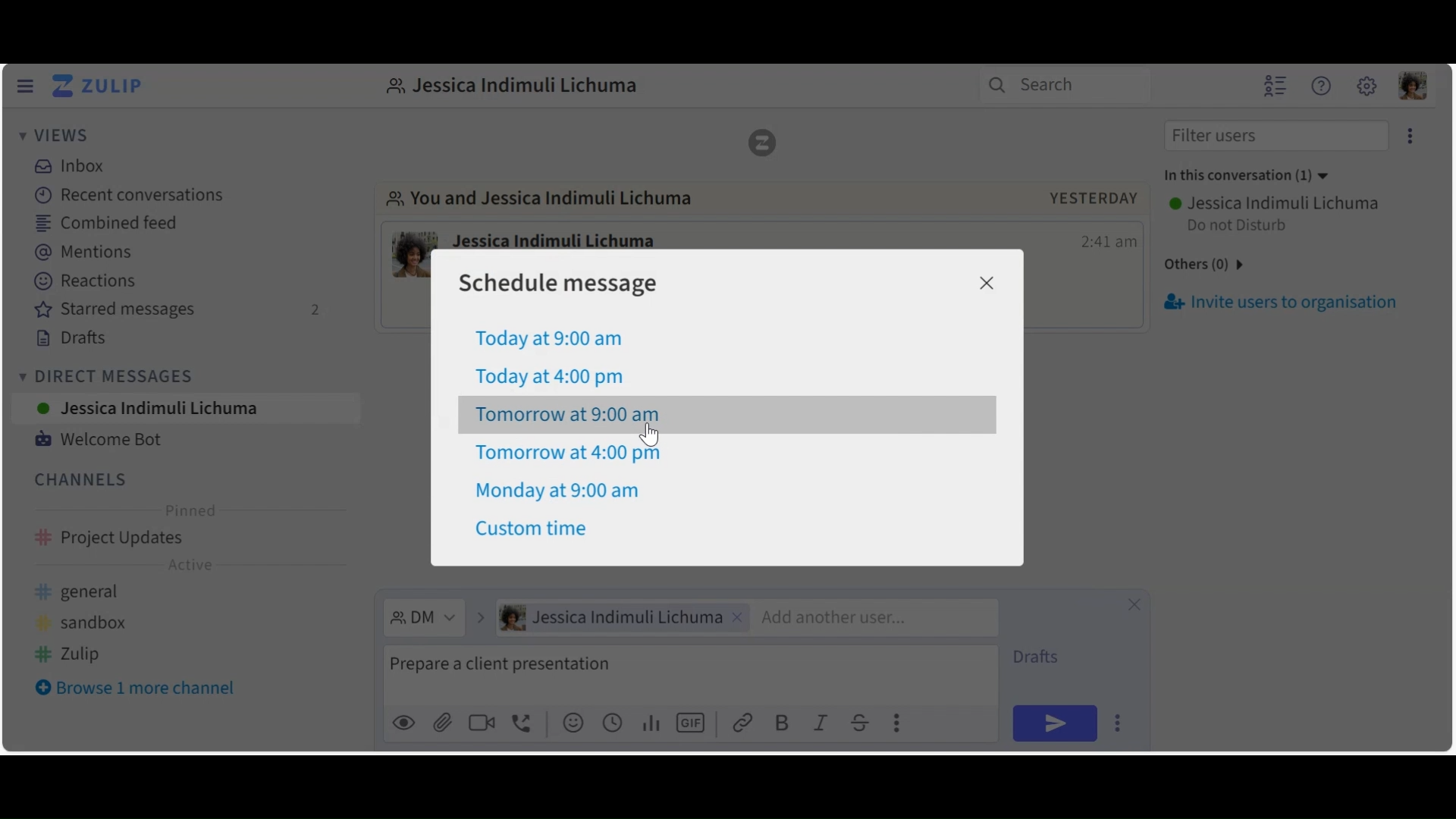 The width and height of the screenshot is (1456, 819). I want to click on Zulip, so click(762, 142).